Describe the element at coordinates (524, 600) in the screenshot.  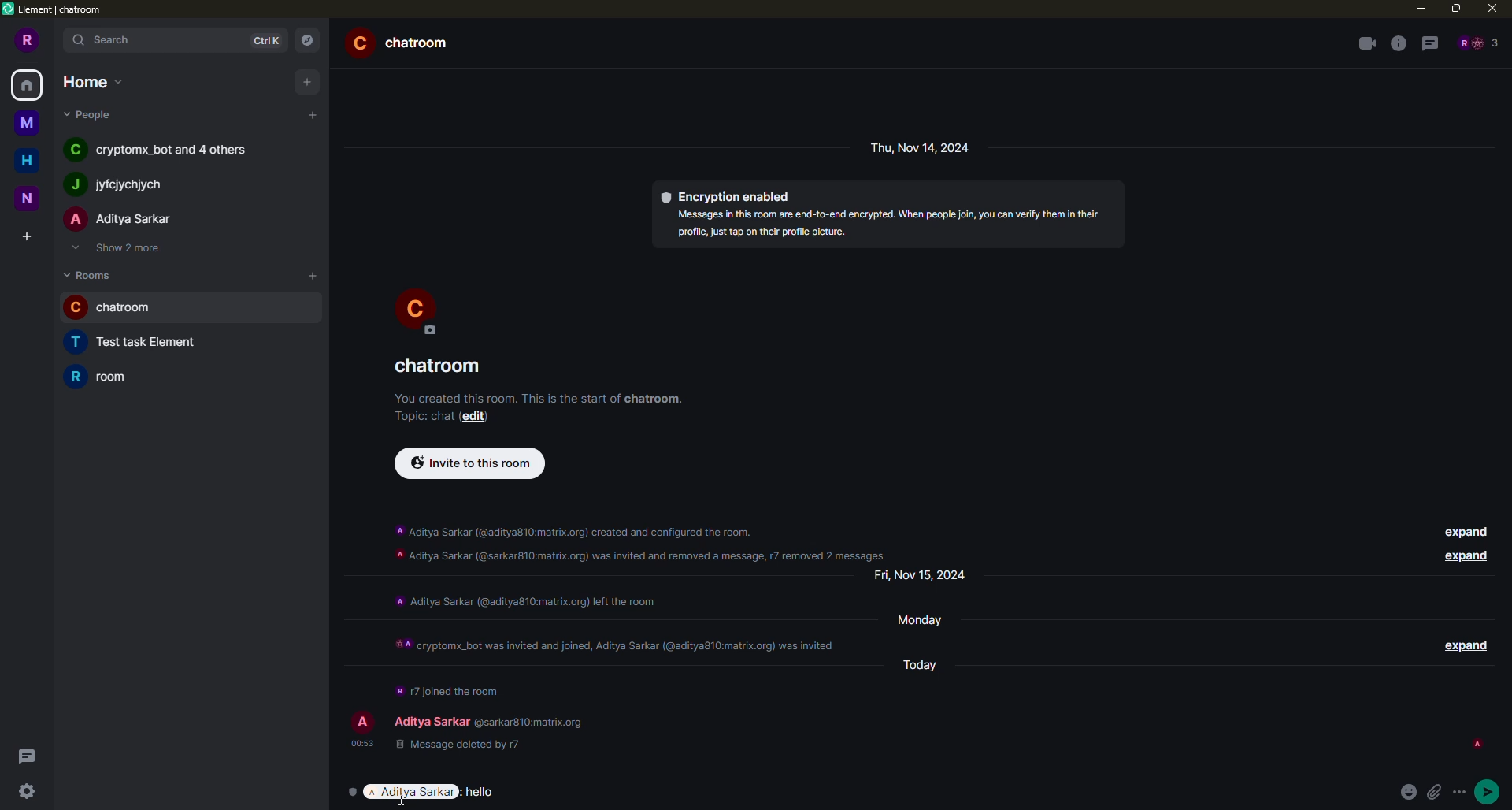
I see `info` at that location.